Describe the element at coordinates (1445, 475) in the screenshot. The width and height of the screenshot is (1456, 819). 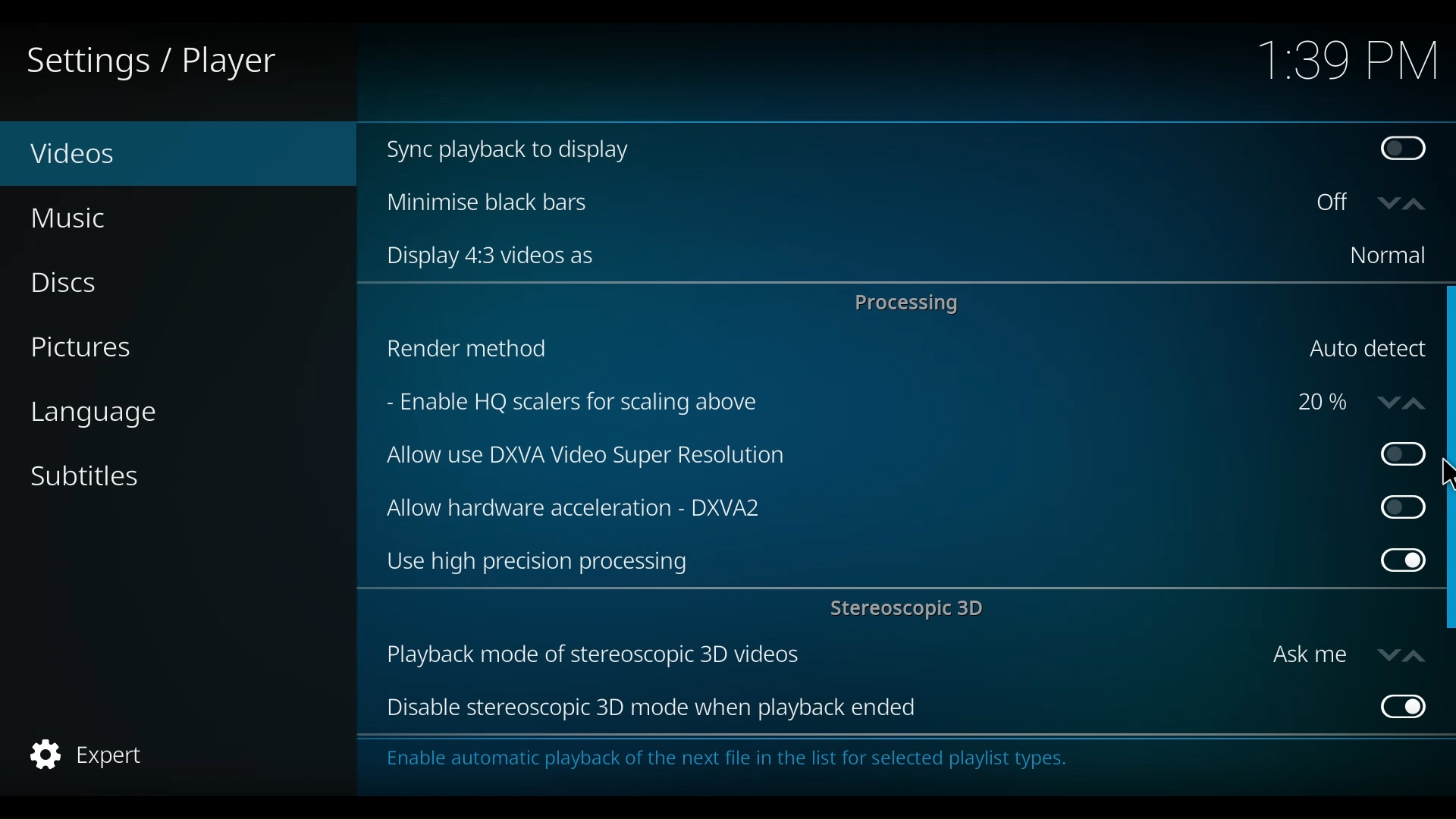
I see `Cursor` at that location.